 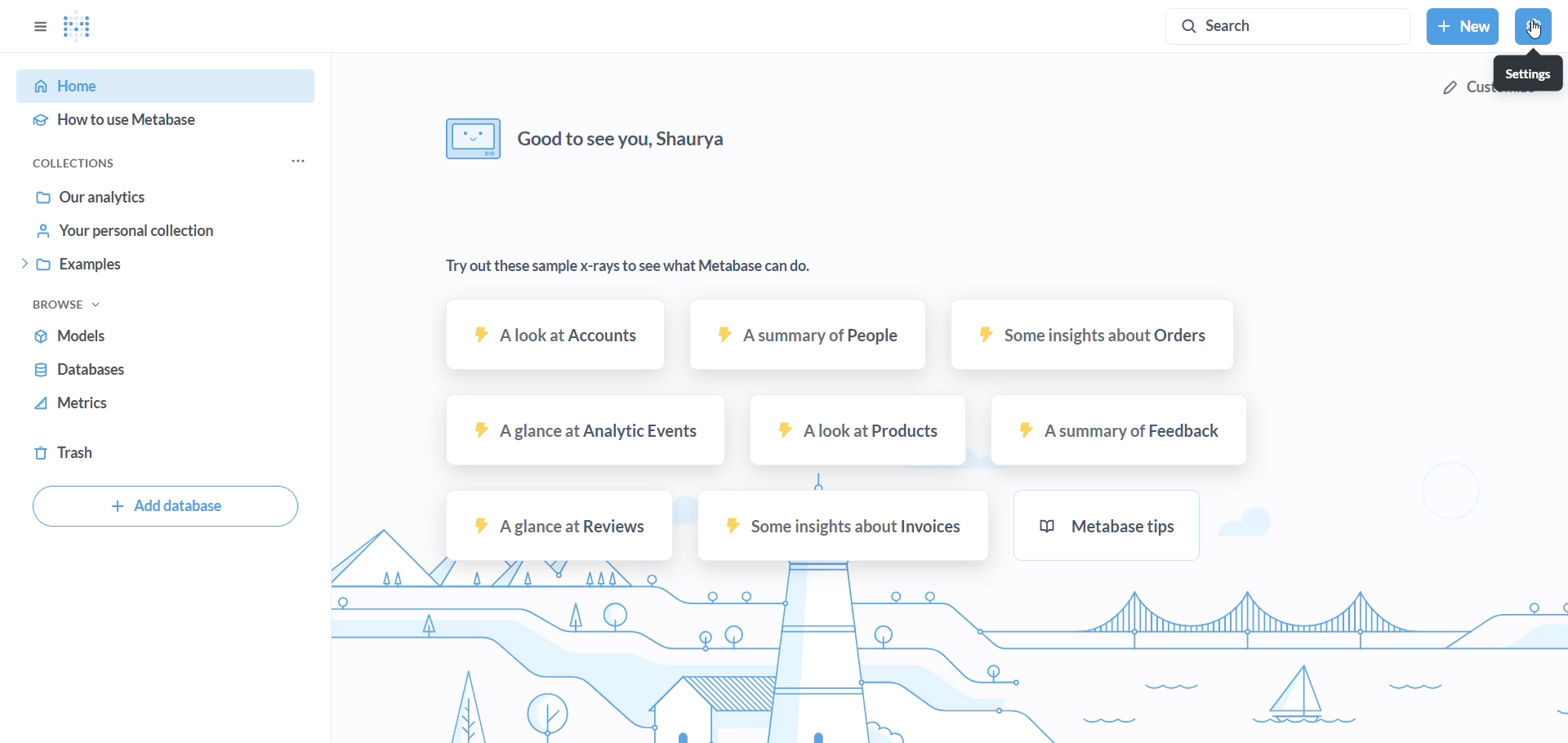 What do you see at coordinates (135, 233) in the screenshot?
I see `your personal collection` at bounding box center [135, 233].